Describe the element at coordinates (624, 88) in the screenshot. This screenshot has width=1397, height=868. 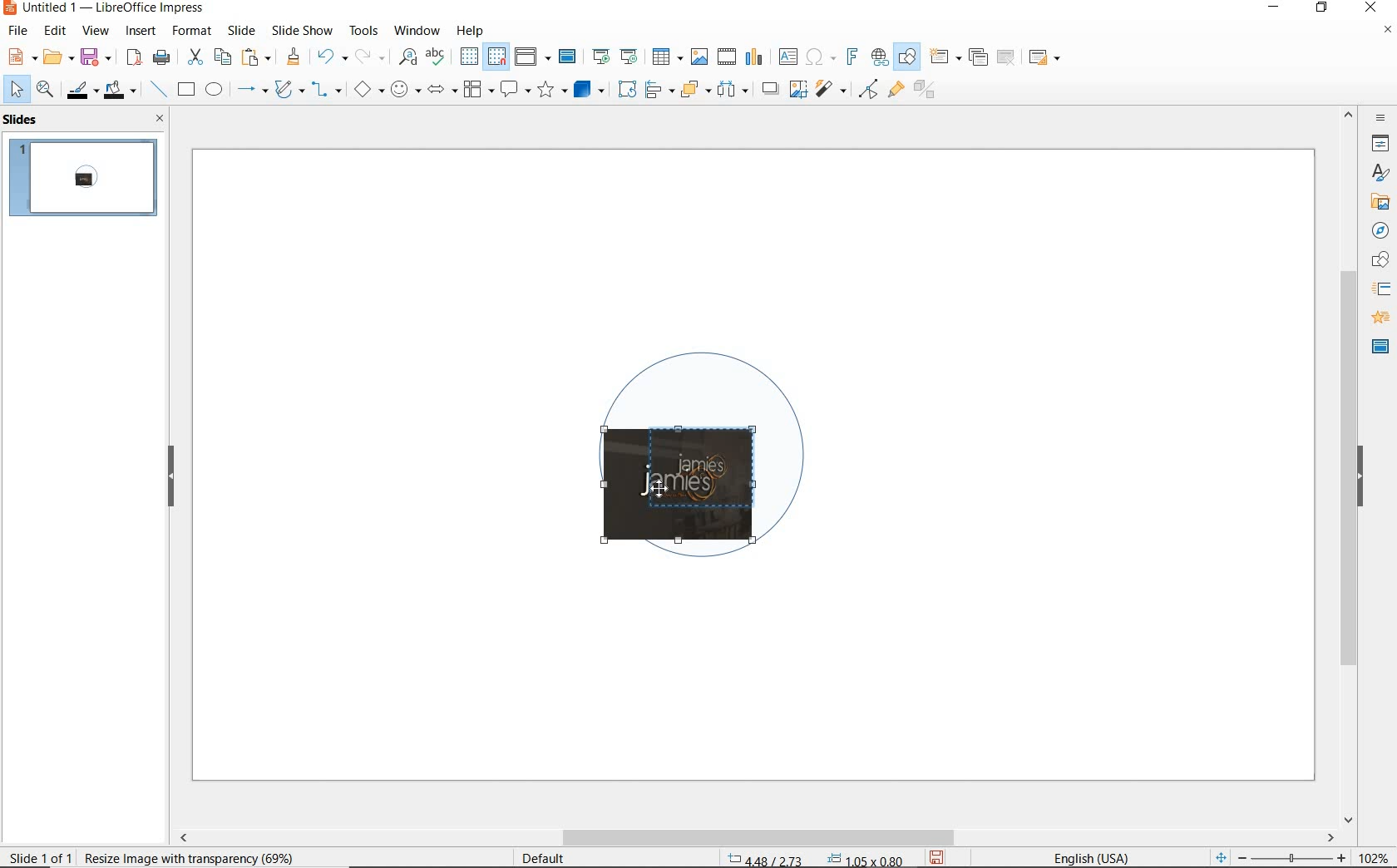
I see `rotate` at that location.